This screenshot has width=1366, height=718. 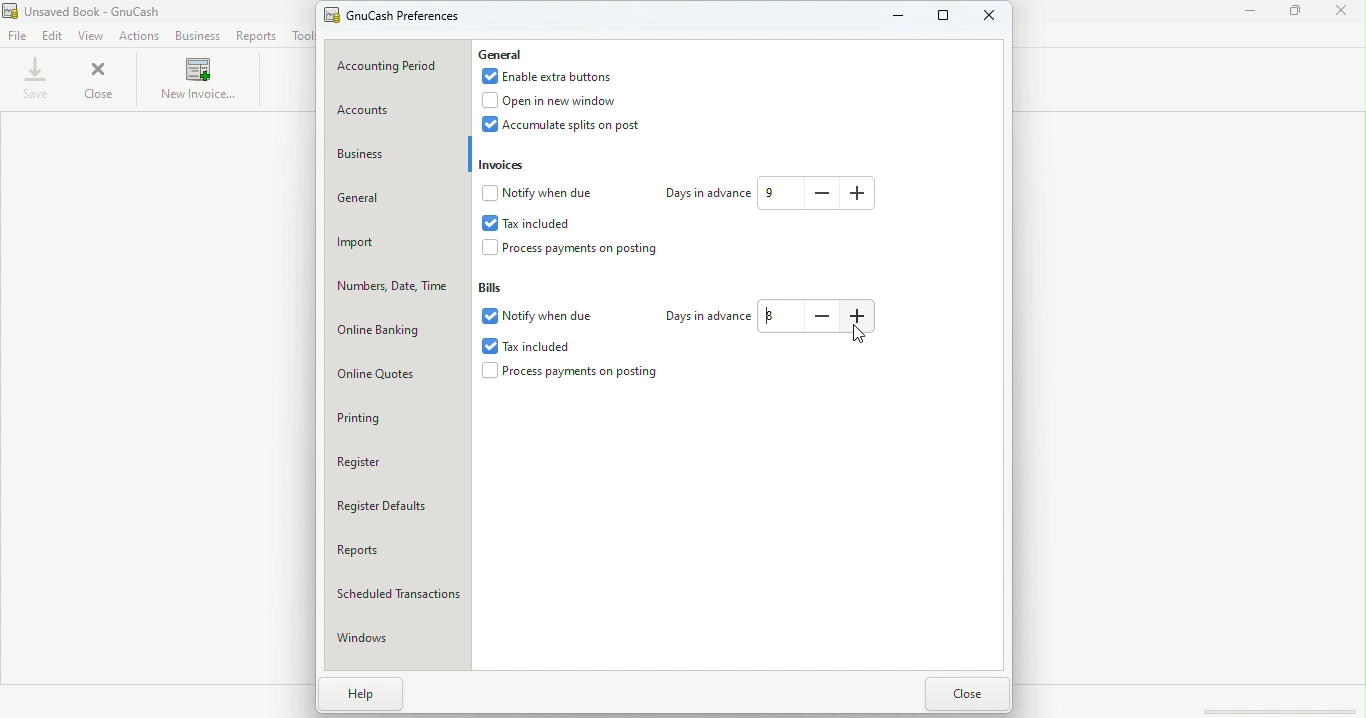 What do you see at coordinates (541, 194) in the screenshot?
I see `Notify when due` at bounding box center [541, 194].